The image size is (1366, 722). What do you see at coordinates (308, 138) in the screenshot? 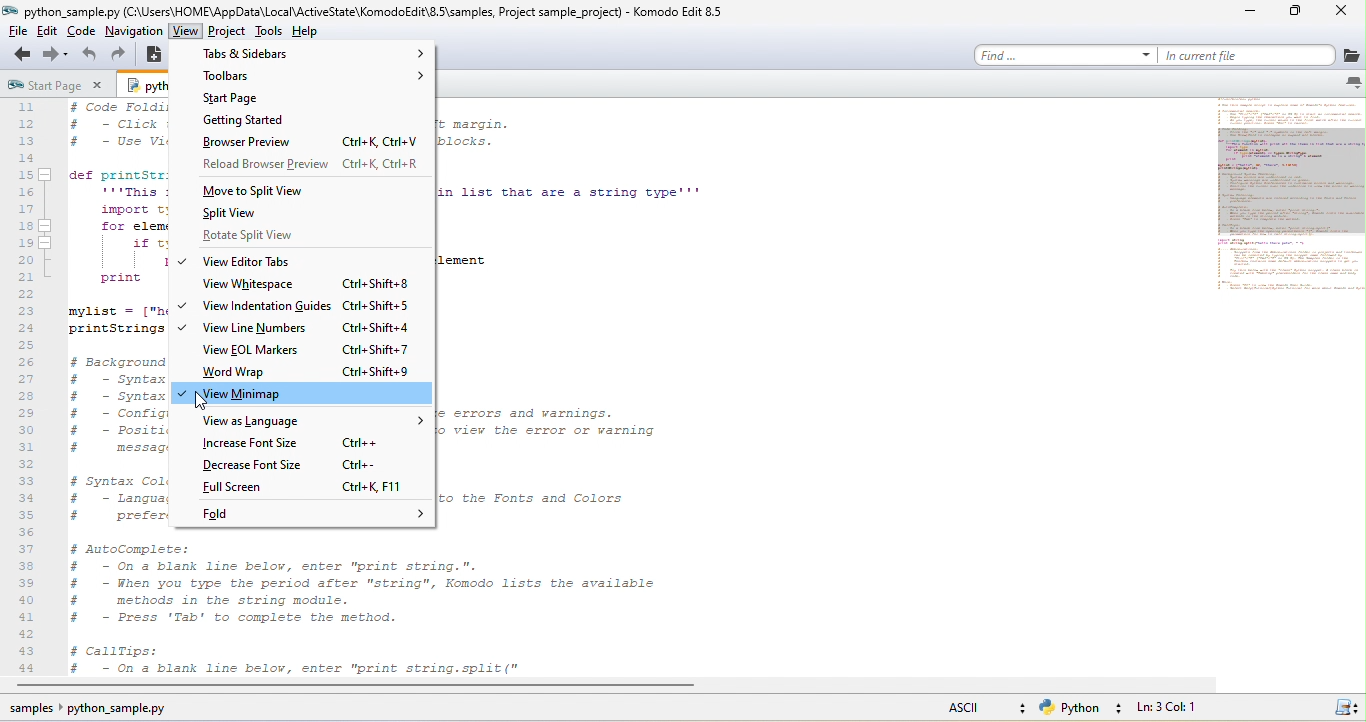
I see `browse preview` at bounding box center [308, 138].